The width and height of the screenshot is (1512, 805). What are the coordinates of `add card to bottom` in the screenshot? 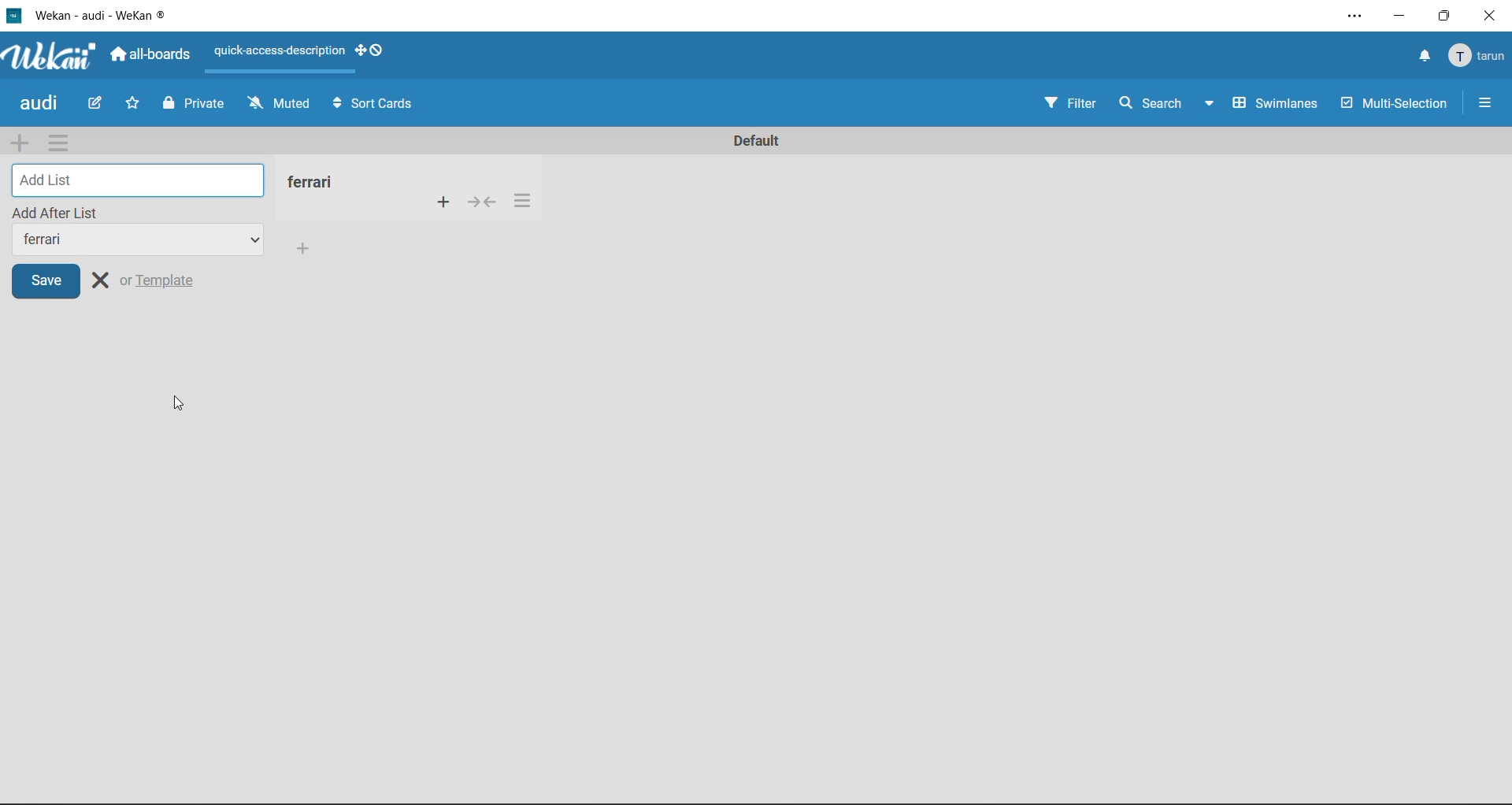 It's located at (306, 248).